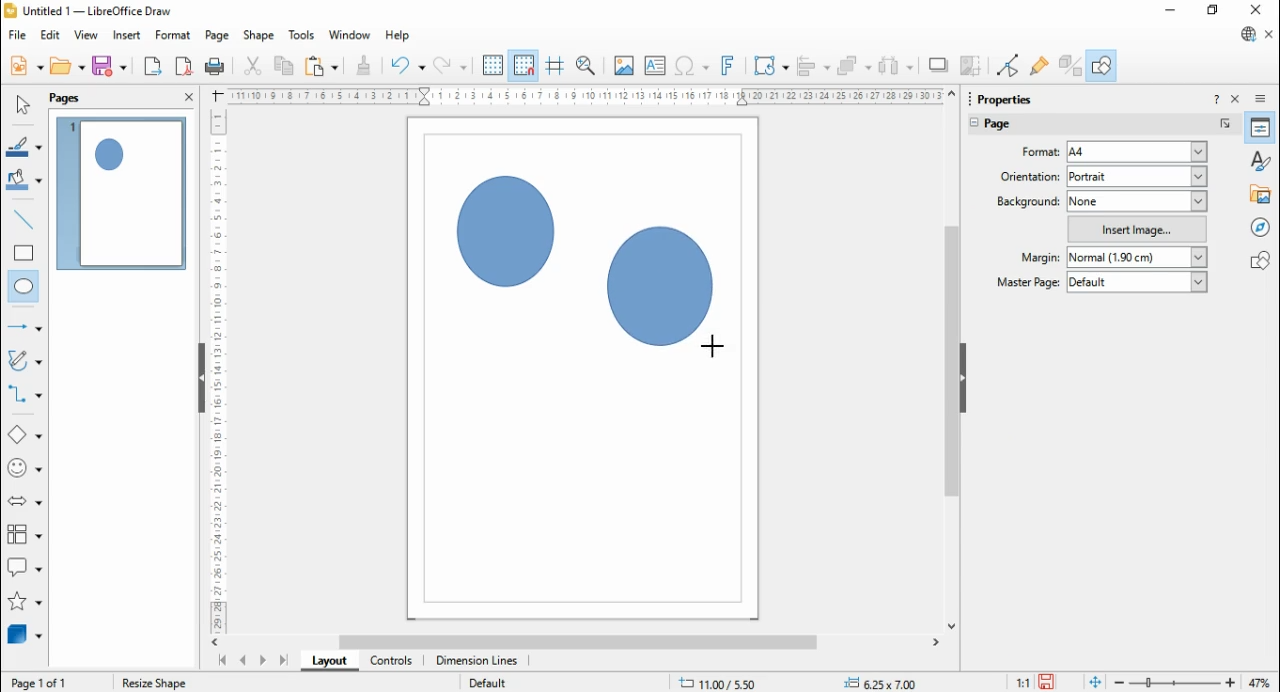 Image resolution: width=1280 pixels, height=692 pixels. Describe the element at coordinates (1010, 65) in the screenshot. I see `toggle point edit mode` at that location.